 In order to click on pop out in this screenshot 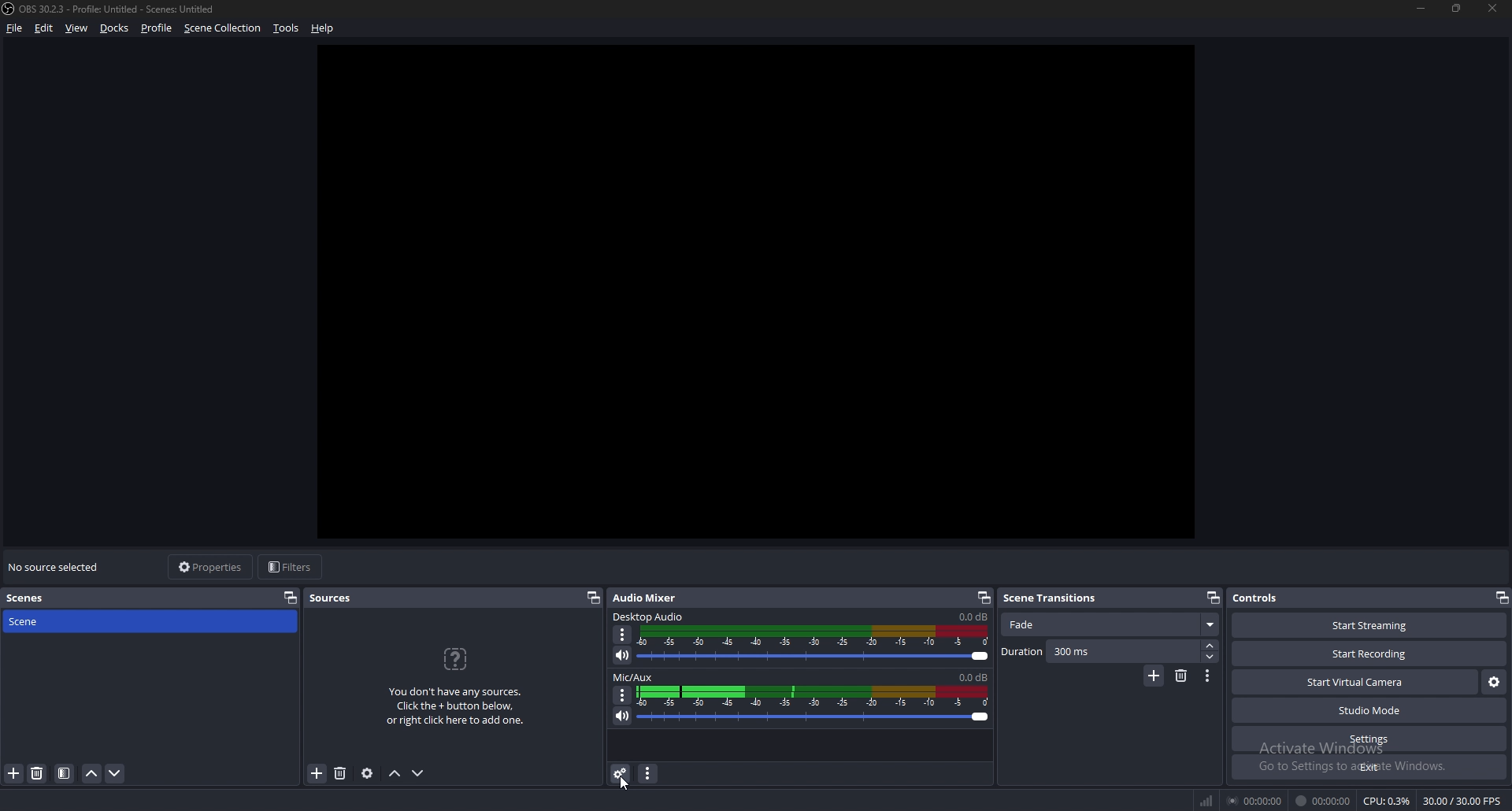, I will do `click(594, 598)`.